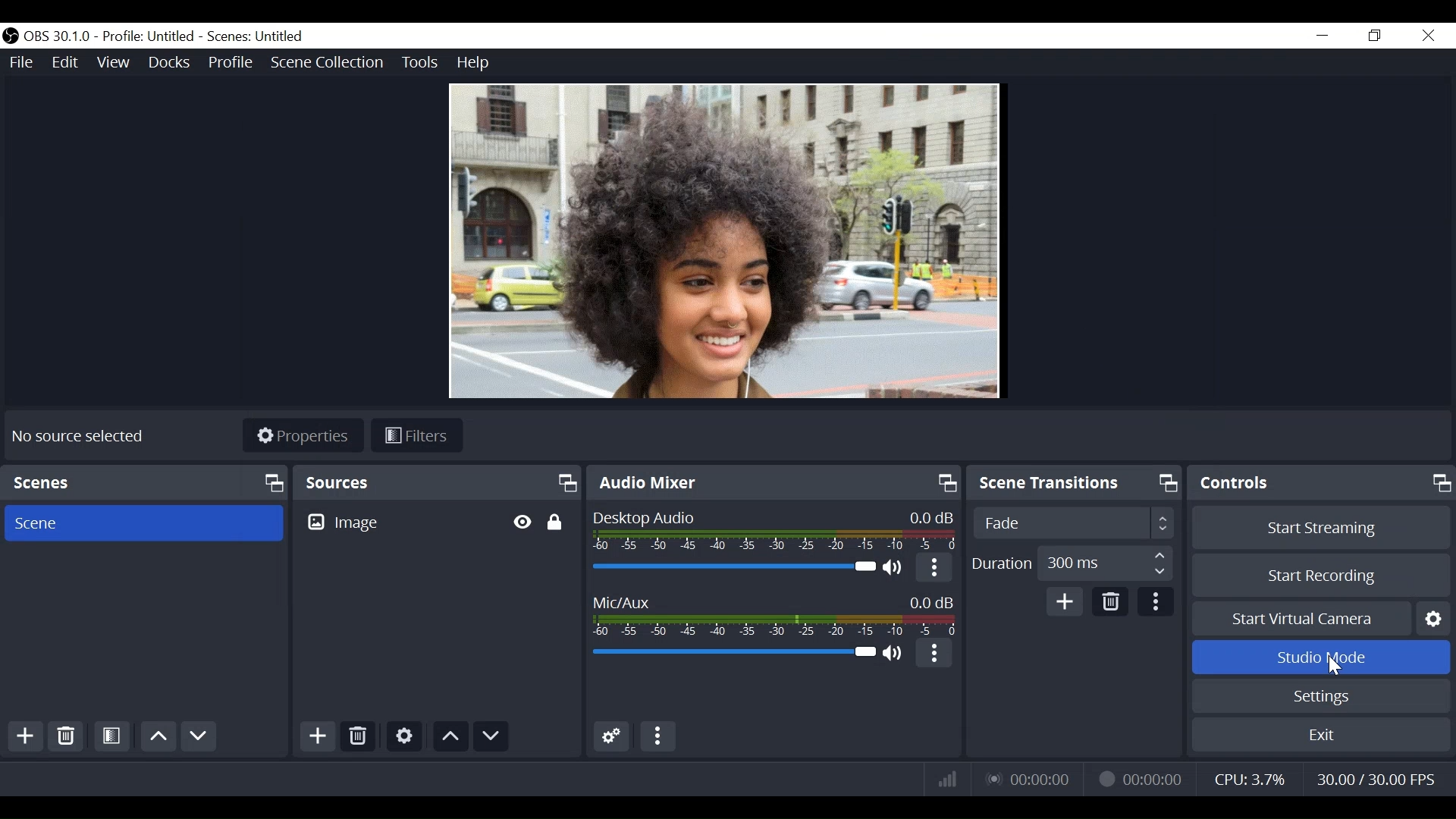 The image size is (1456, 819). What do you see at coordinates (731, 570) in the screenshot?
I see `Desktop Audio` at bounding box center [731, 570].